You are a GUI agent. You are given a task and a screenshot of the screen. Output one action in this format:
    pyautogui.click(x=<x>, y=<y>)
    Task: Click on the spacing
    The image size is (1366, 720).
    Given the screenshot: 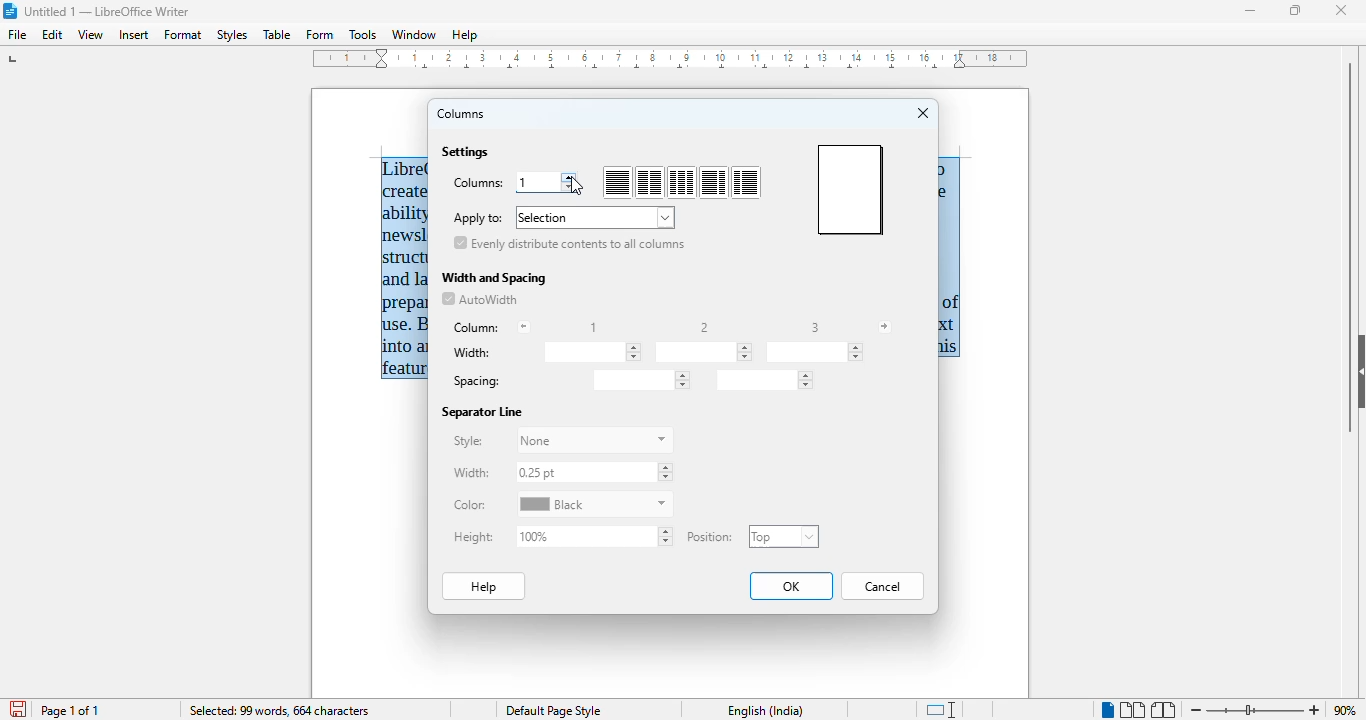 What is the action you would take?
    pyautogui.click(x=640, y=380)
    